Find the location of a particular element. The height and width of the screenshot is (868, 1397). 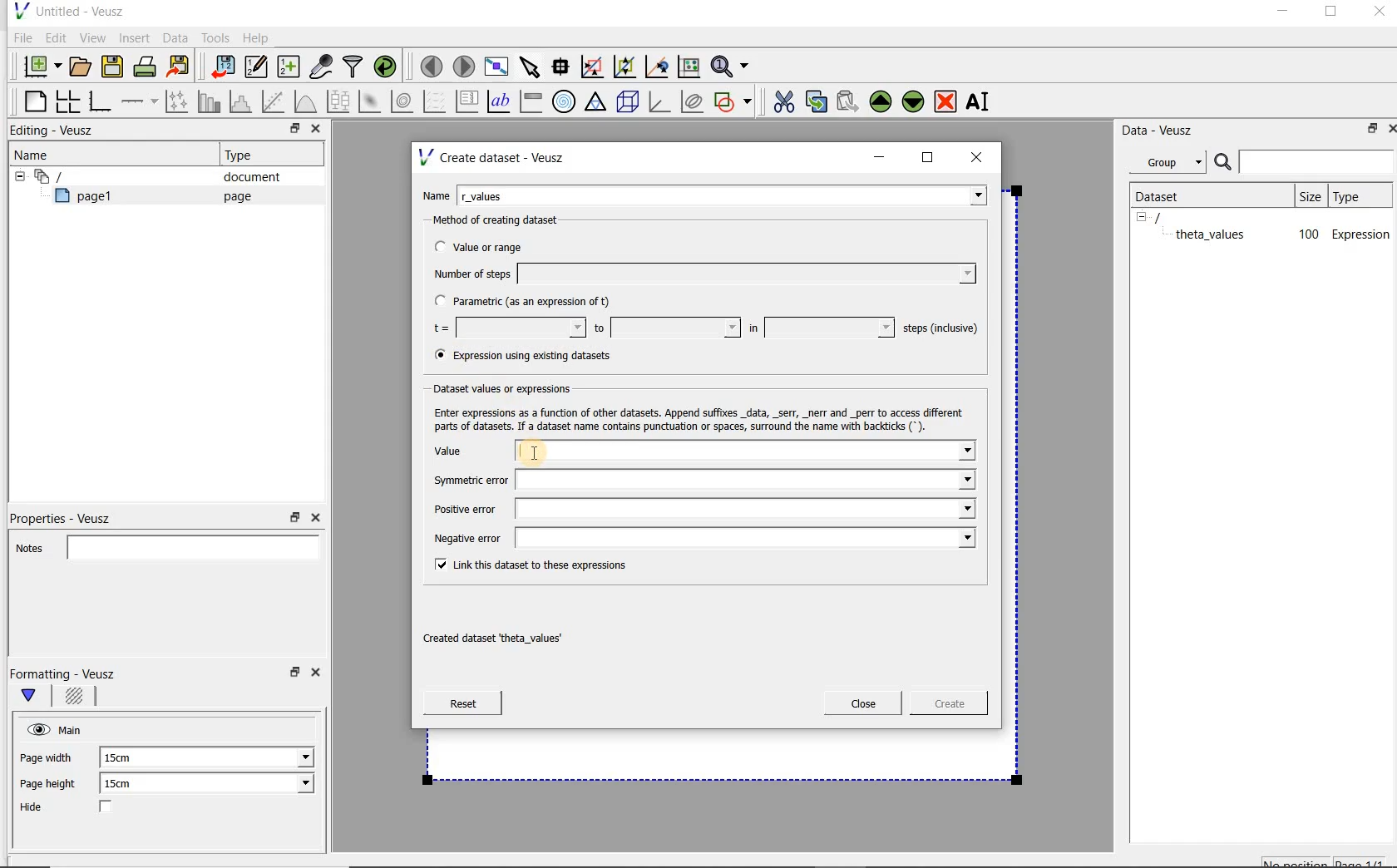

hide sub menu is located at coordinates (16, 175).